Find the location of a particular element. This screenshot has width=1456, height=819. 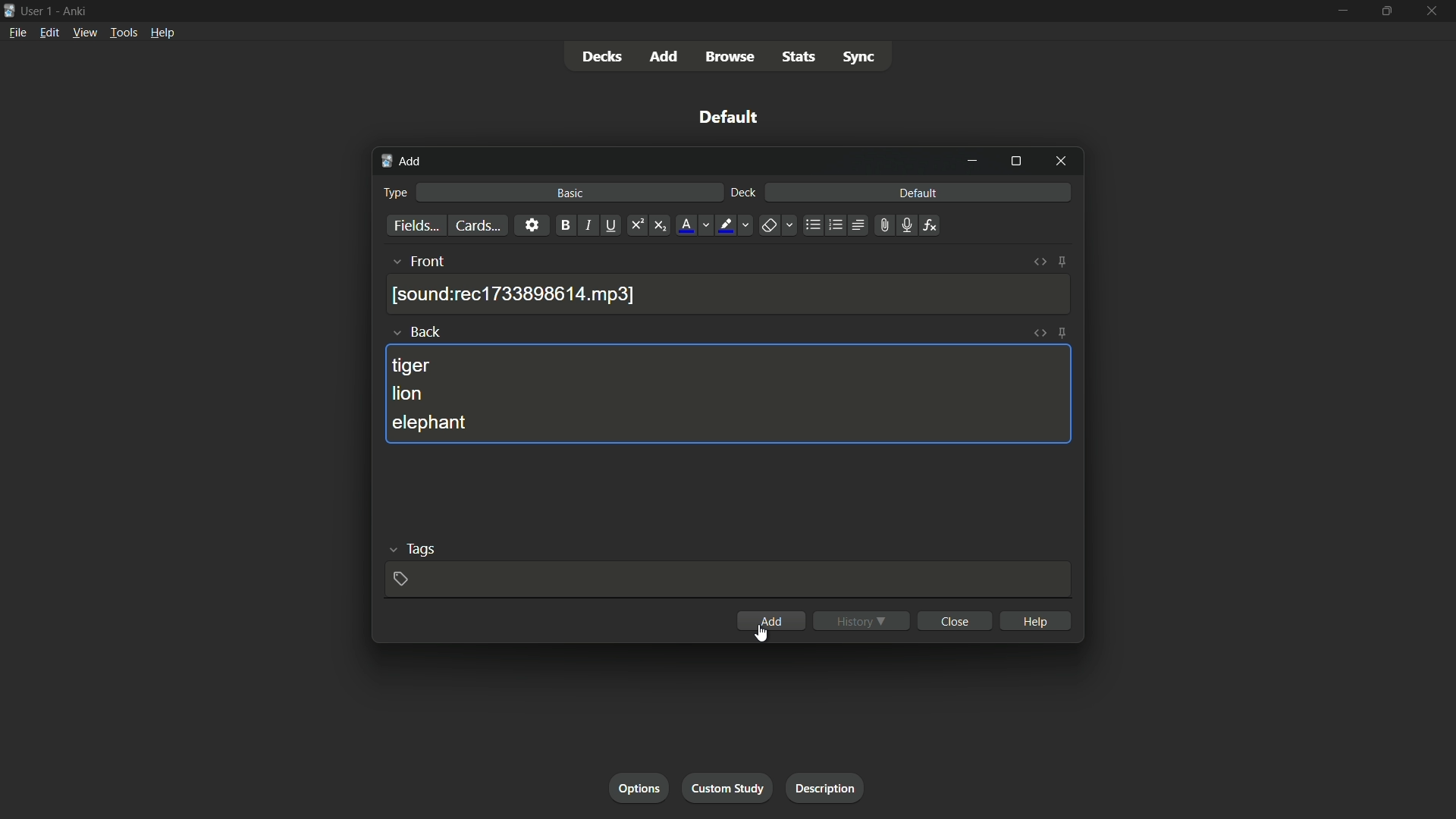

help is located at coordinates (1035, 620).